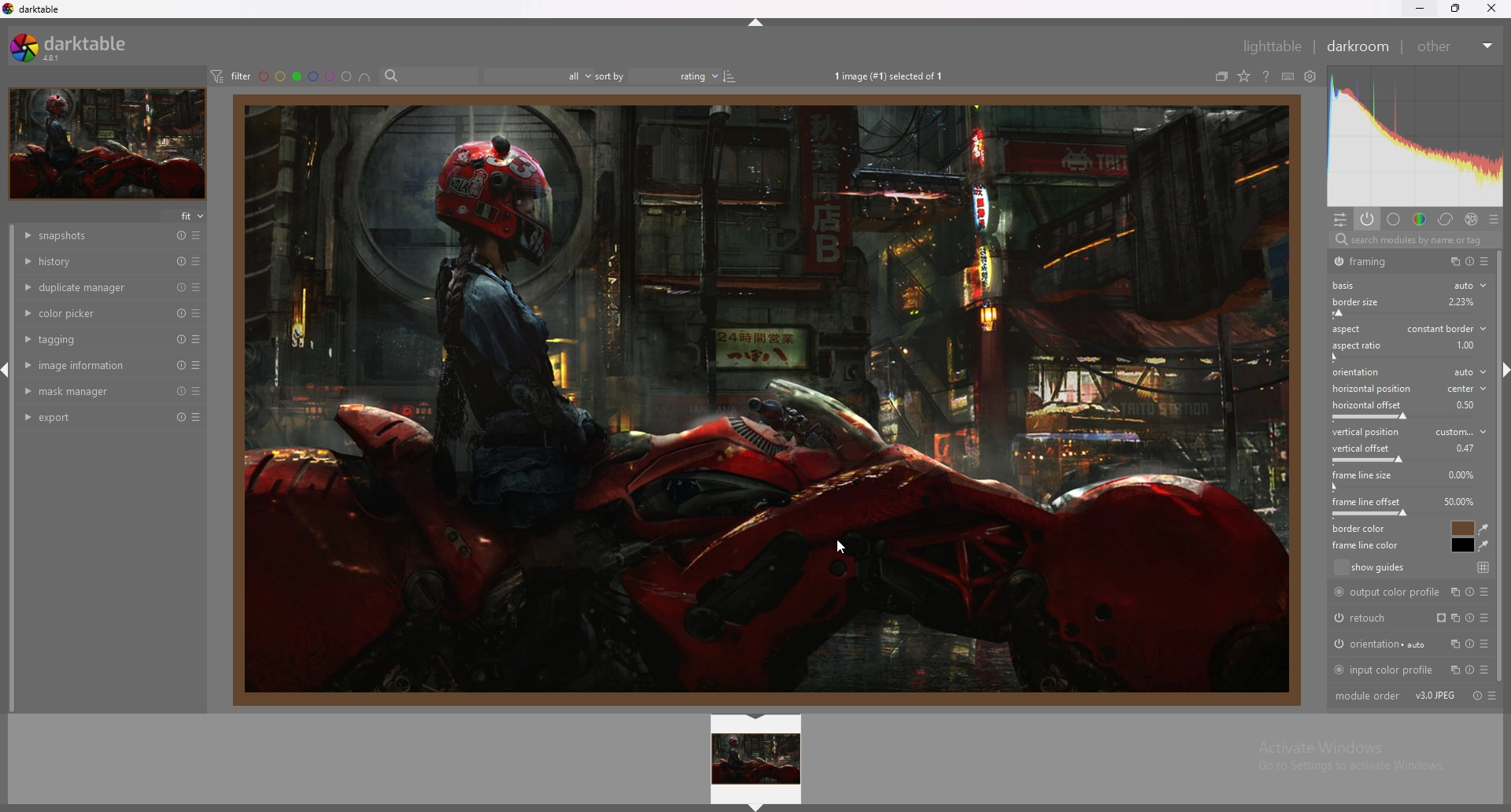  Describe the element at coordinates (1367, 501) in the screenshot. I see `frame line offset` at that location.